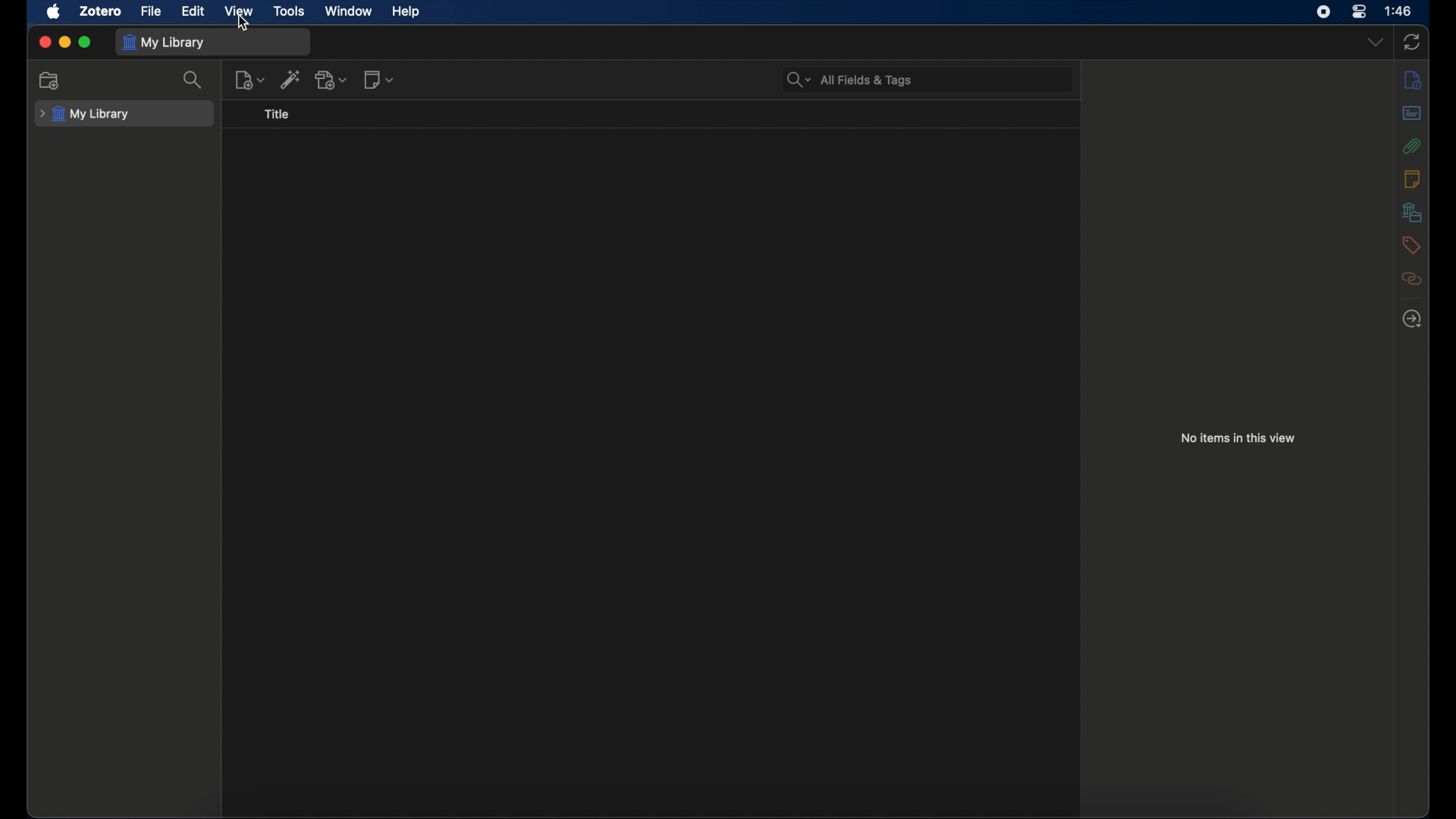 The height and width of the screenshot is (819, 1456). Describe the element at coordinates (86, 42) in the screenshot. I see `maximize` at that location.